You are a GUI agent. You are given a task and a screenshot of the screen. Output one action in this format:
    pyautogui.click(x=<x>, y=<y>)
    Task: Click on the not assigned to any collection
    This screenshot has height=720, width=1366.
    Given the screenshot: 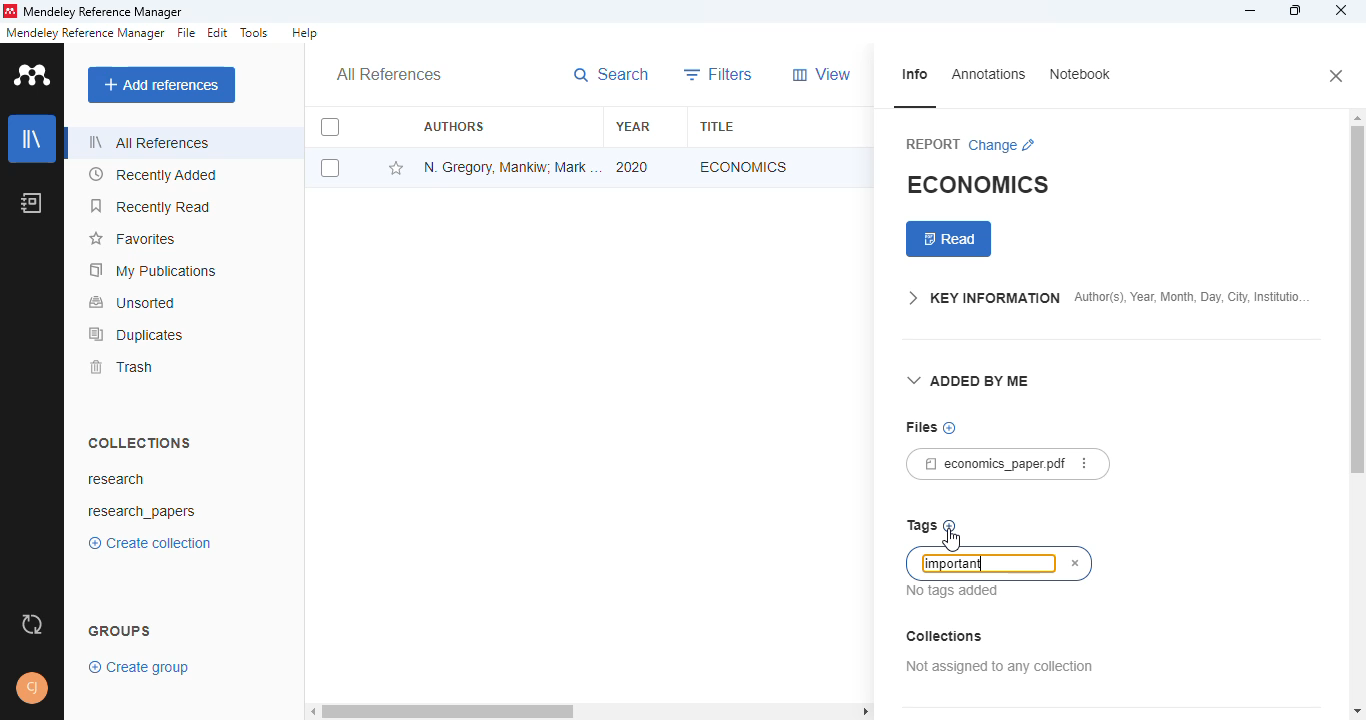 What is the action you would take?
    pyautogui.click(x=1000, y=666)
    